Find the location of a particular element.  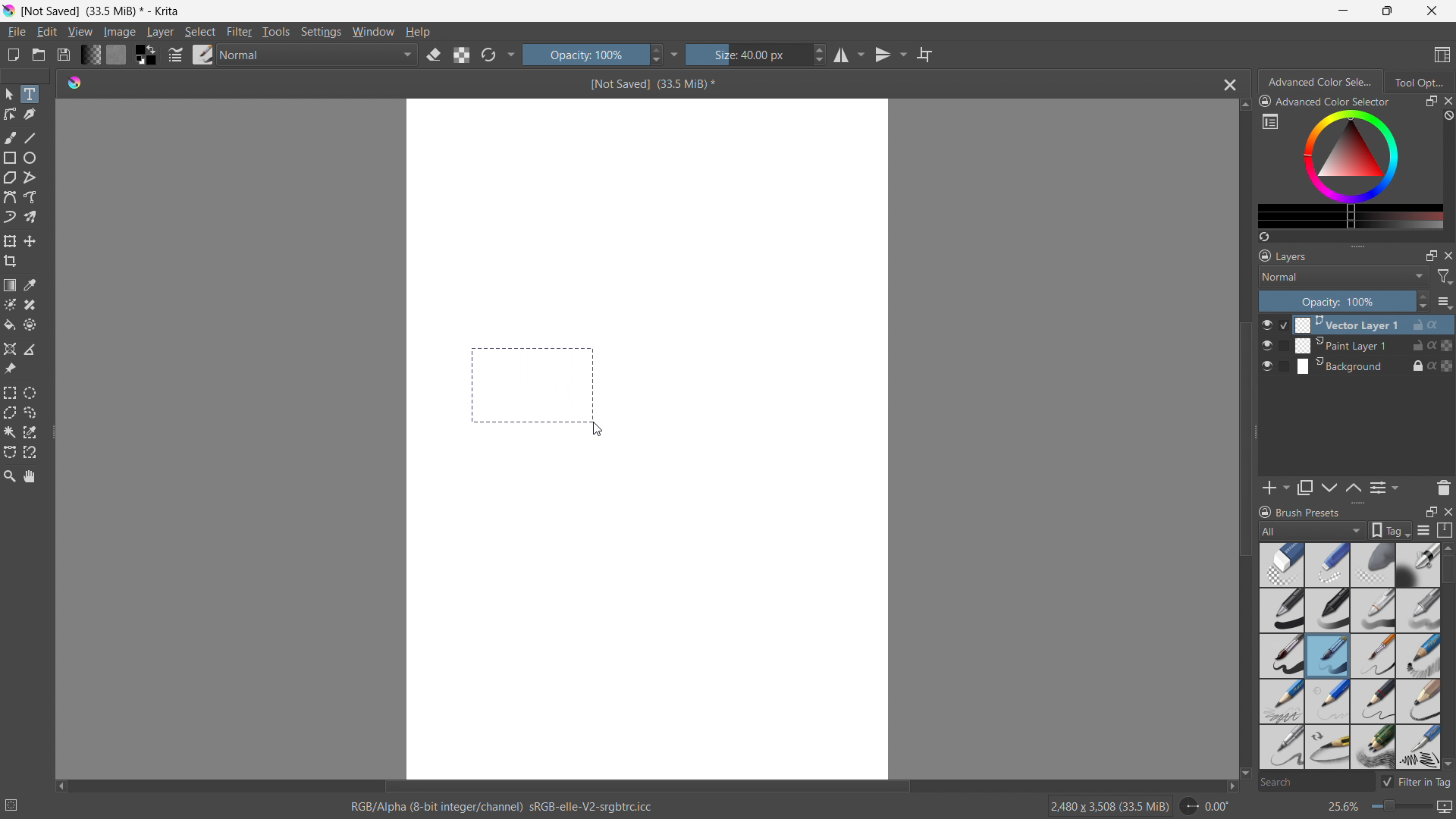

pen is located at coordinates (1328, 610).